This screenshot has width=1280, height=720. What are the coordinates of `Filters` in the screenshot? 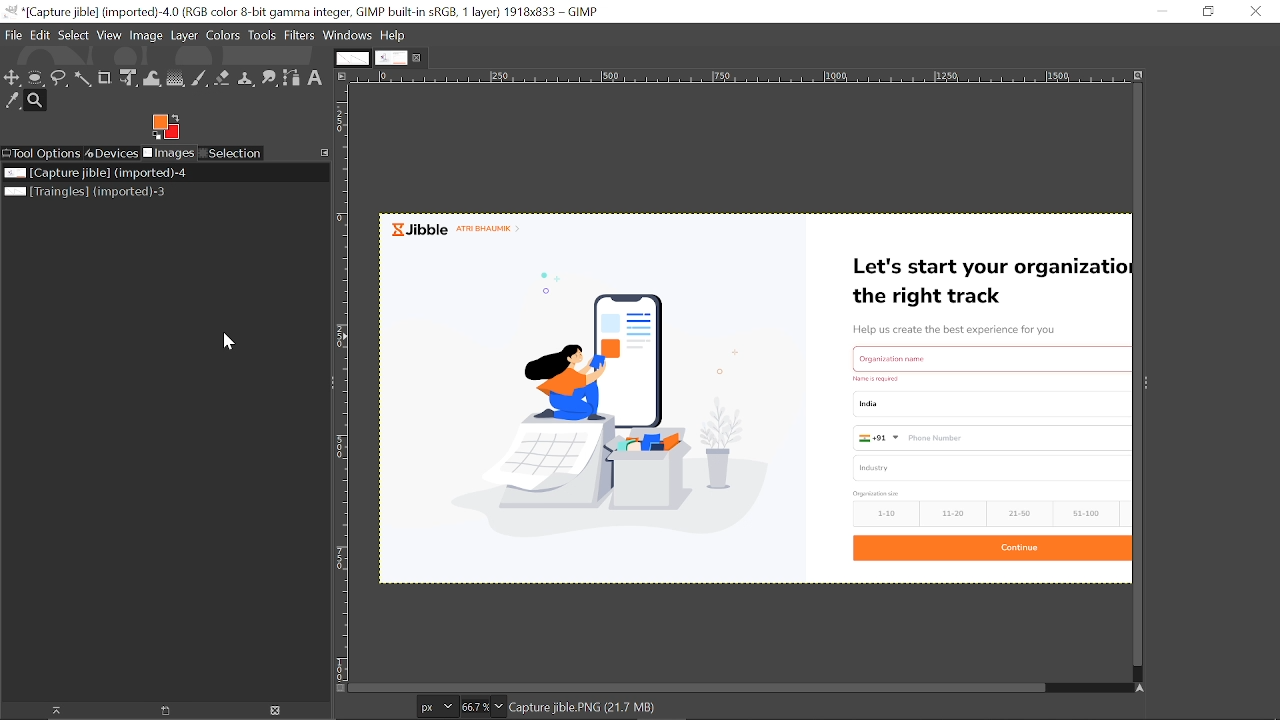 It's located at (299, 37).